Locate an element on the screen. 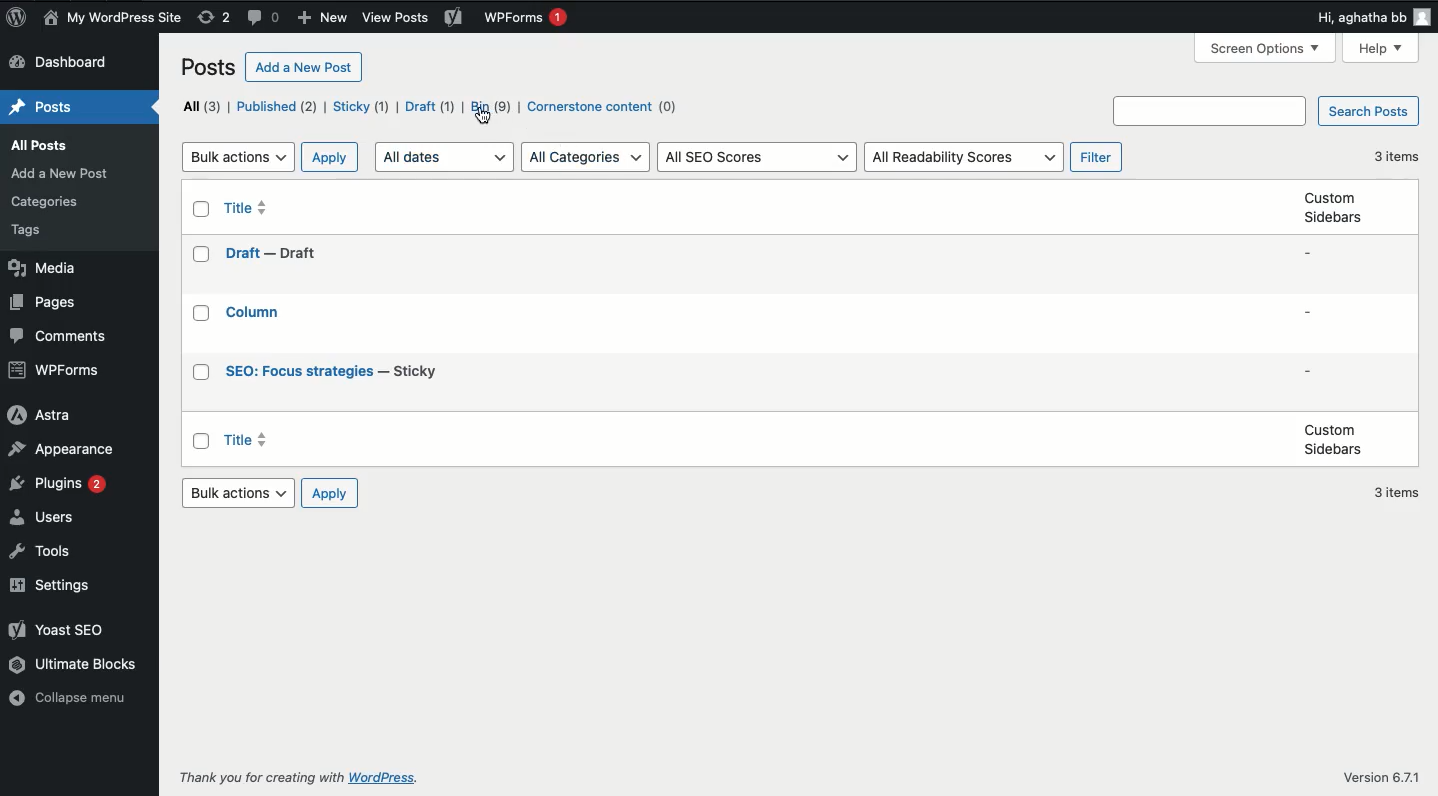 The image size is (1438, 796). Collapse menu is located at coordinates (74, 698).